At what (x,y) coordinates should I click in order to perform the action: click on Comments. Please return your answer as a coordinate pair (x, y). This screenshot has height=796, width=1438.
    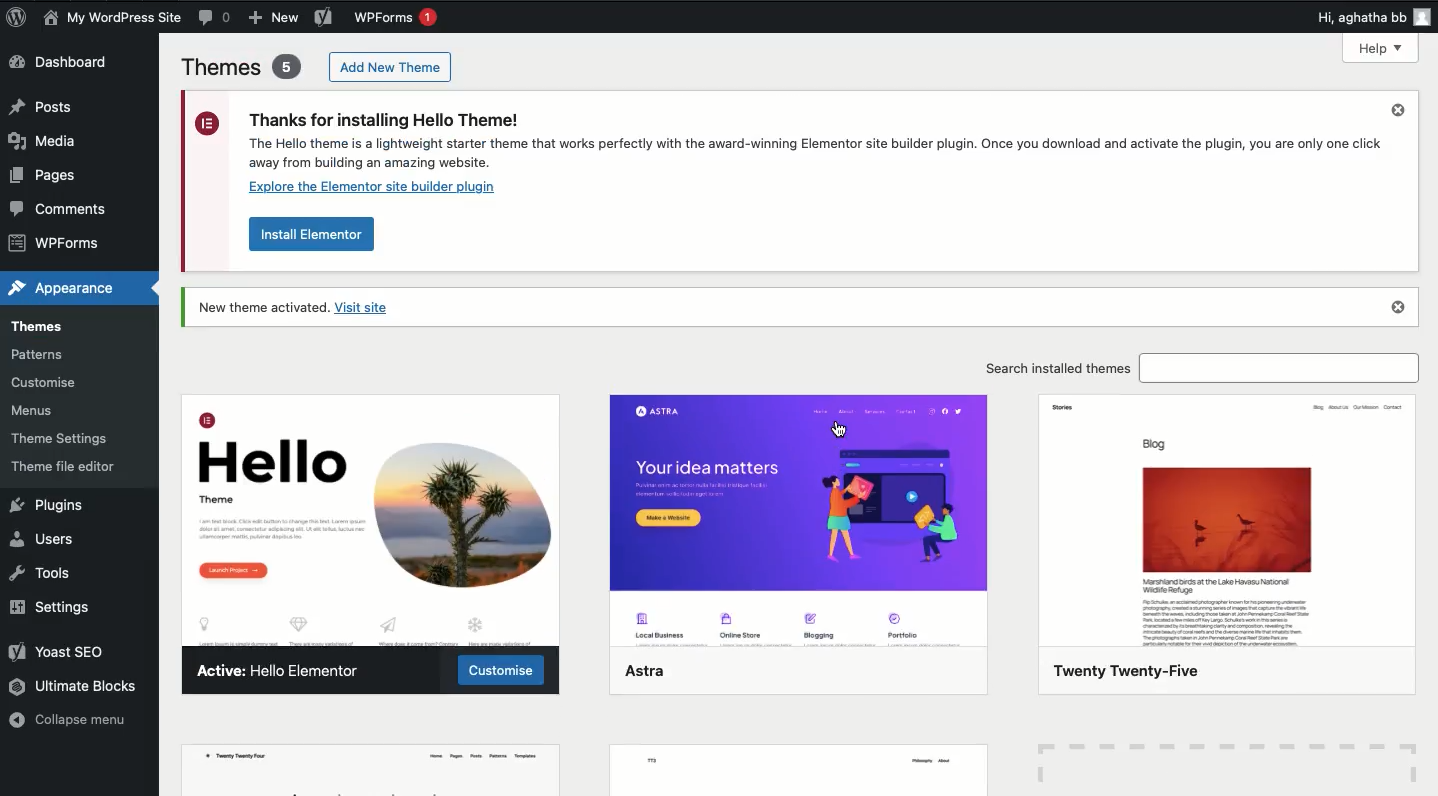
    Looking at the image, I should click on (215, 18).